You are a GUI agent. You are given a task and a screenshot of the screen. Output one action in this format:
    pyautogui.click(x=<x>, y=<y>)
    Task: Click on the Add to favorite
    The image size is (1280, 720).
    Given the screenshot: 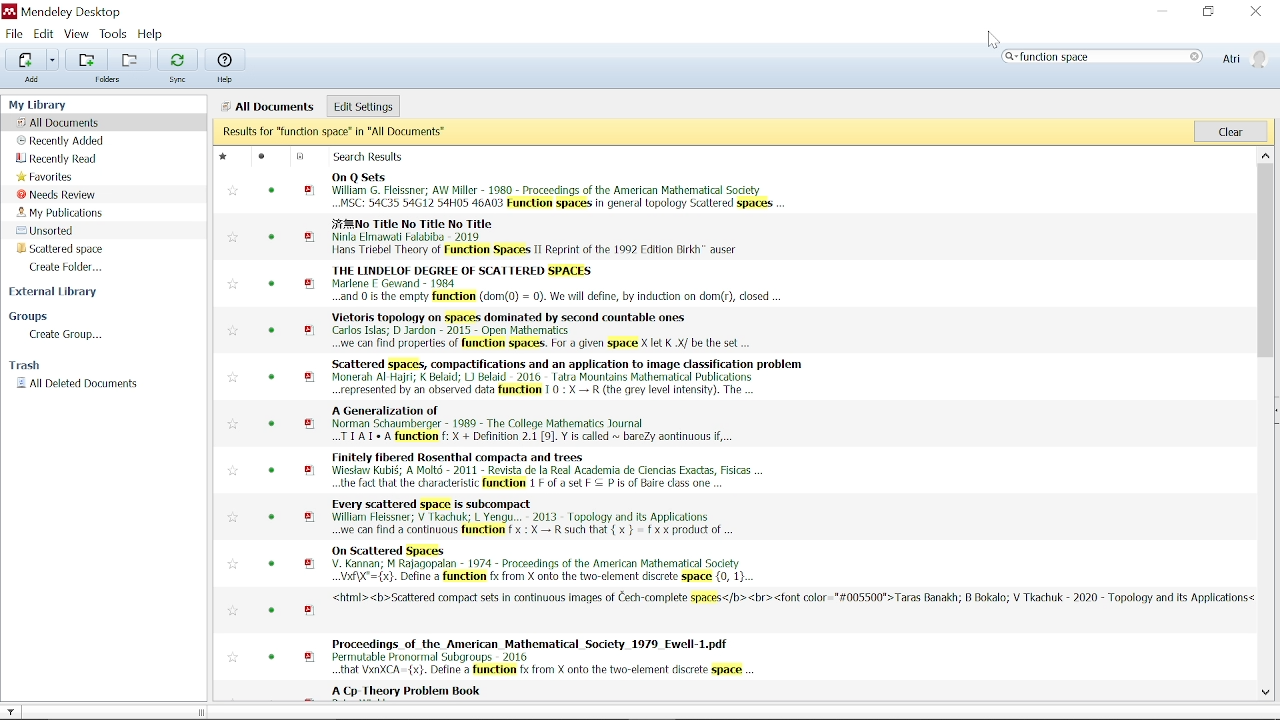 What is the action you would take?
    pyautogui.click(x=233, y=518)
    